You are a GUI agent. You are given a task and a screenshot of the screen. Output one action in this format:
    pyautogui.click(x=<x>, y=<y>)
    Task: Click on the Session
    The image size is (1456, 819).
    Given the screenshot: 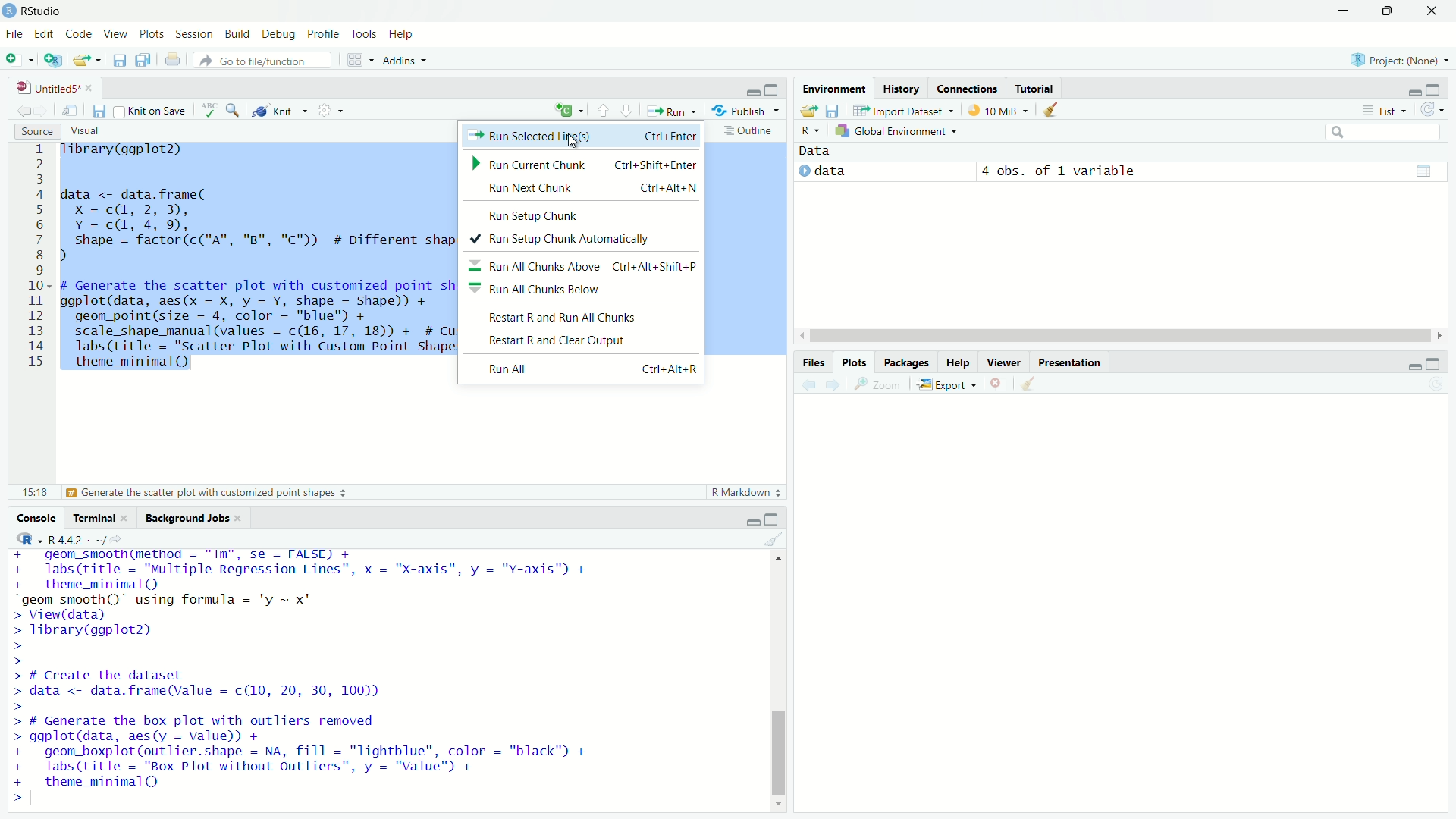 What is the action you would take?
    pyautogui.click(x=193, y=34)
    